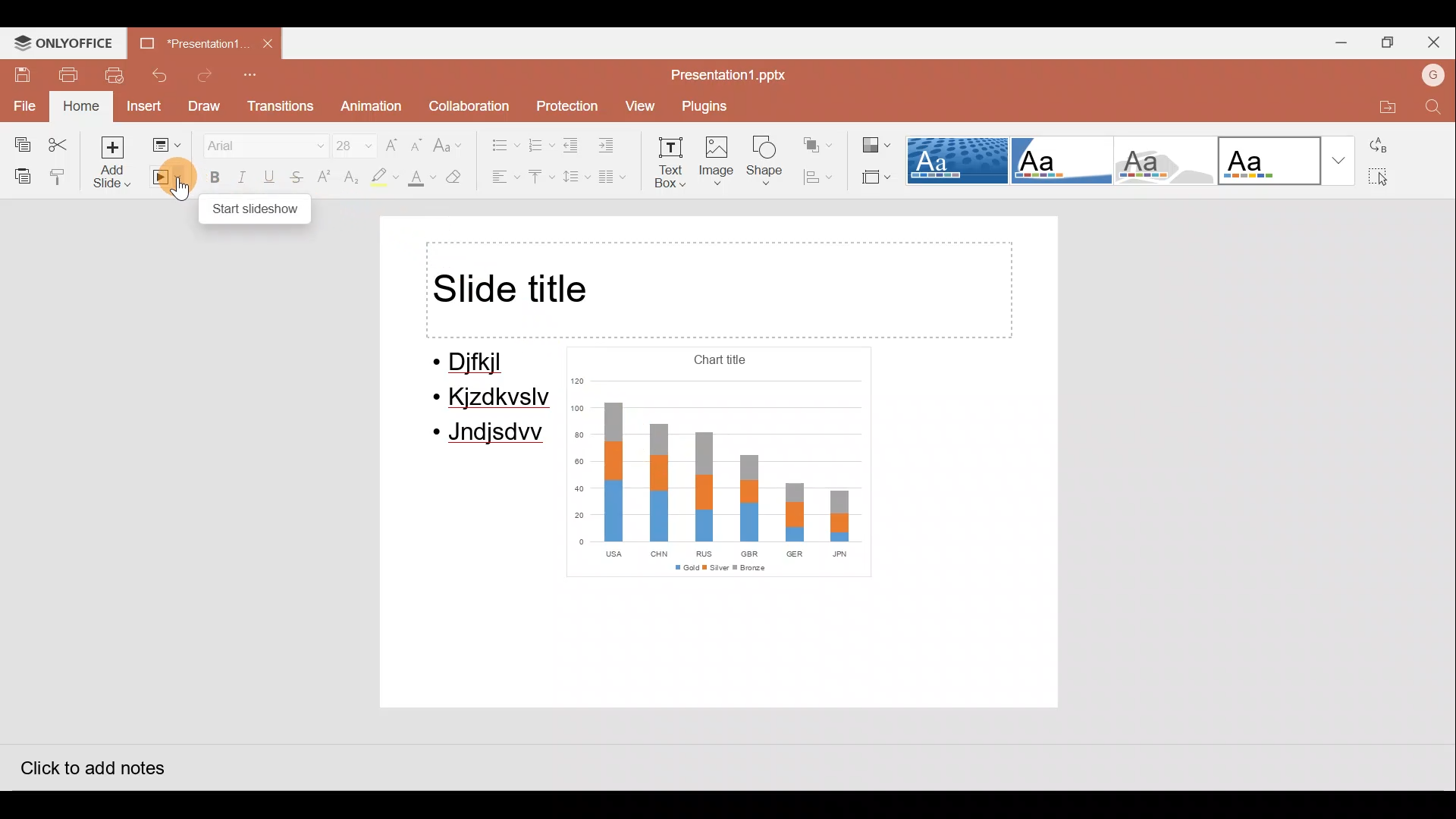 The width and height of the screenshot is (1456, 819). I want to click on Change slide layout, so click(168, 146).